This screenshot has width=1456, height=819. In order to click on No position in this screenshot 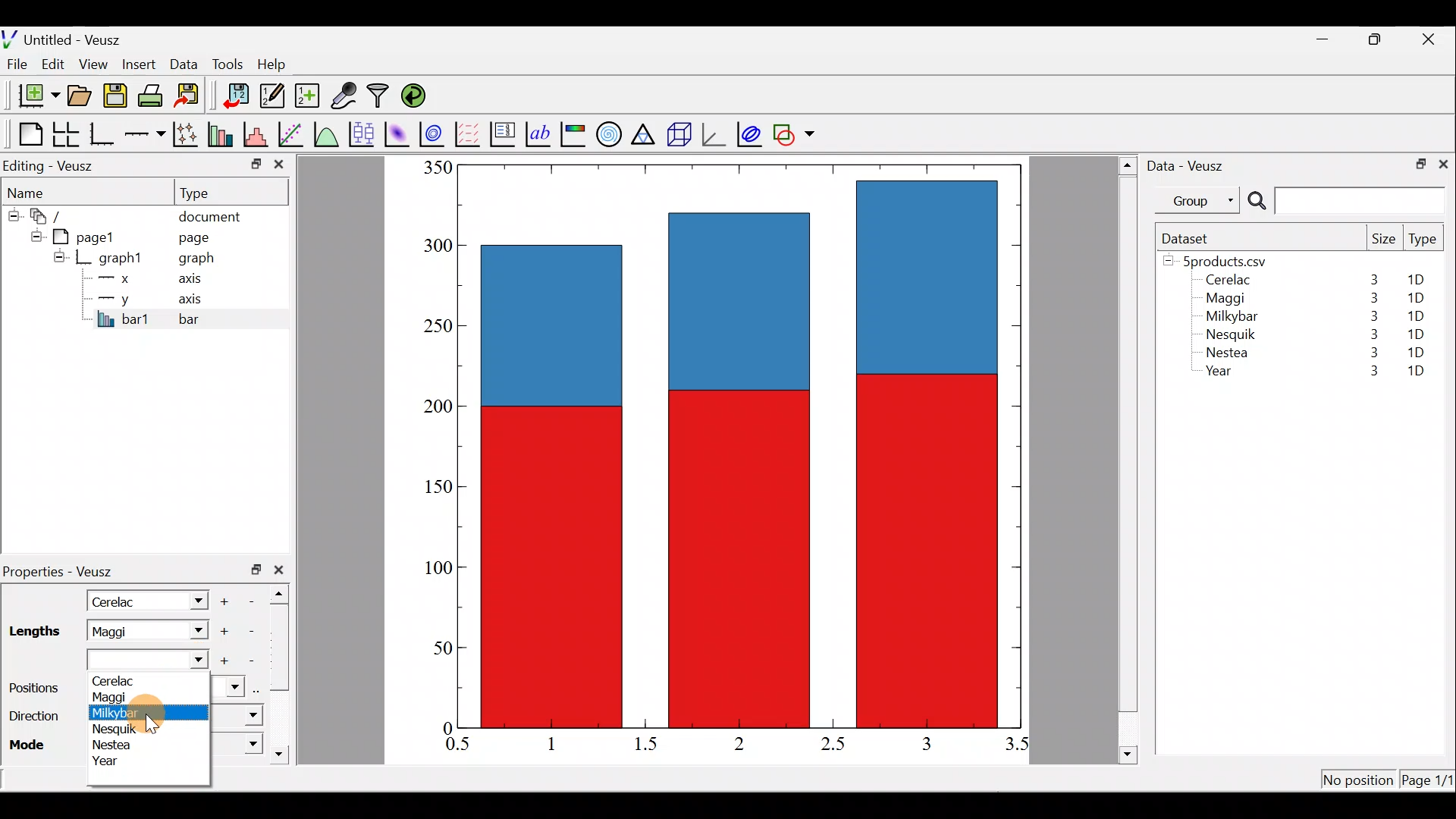, I will do `click(1359, 781)`.